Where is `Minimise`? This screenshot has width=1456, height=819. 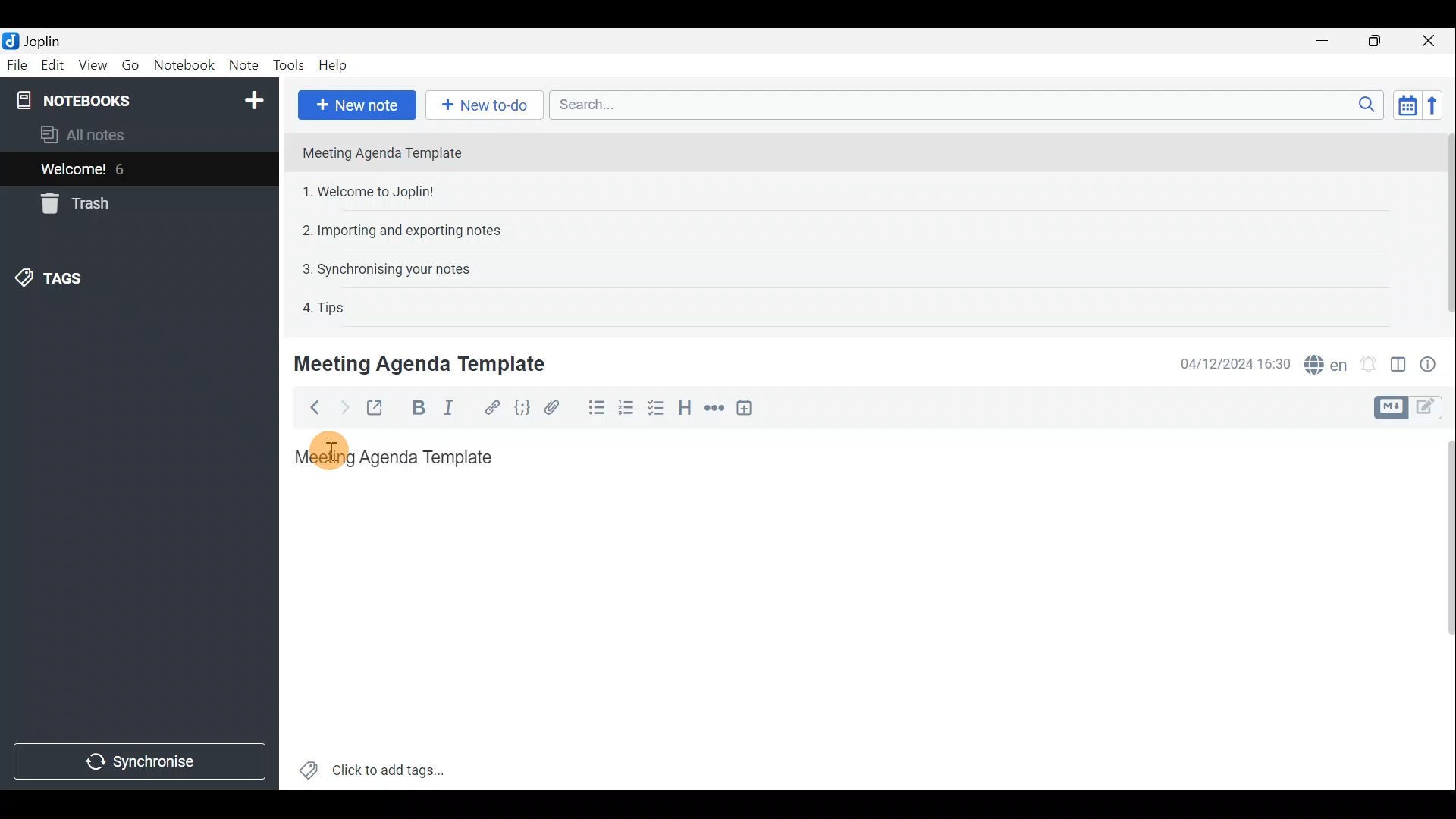 Minimise is located at coordinates (1325, 40).